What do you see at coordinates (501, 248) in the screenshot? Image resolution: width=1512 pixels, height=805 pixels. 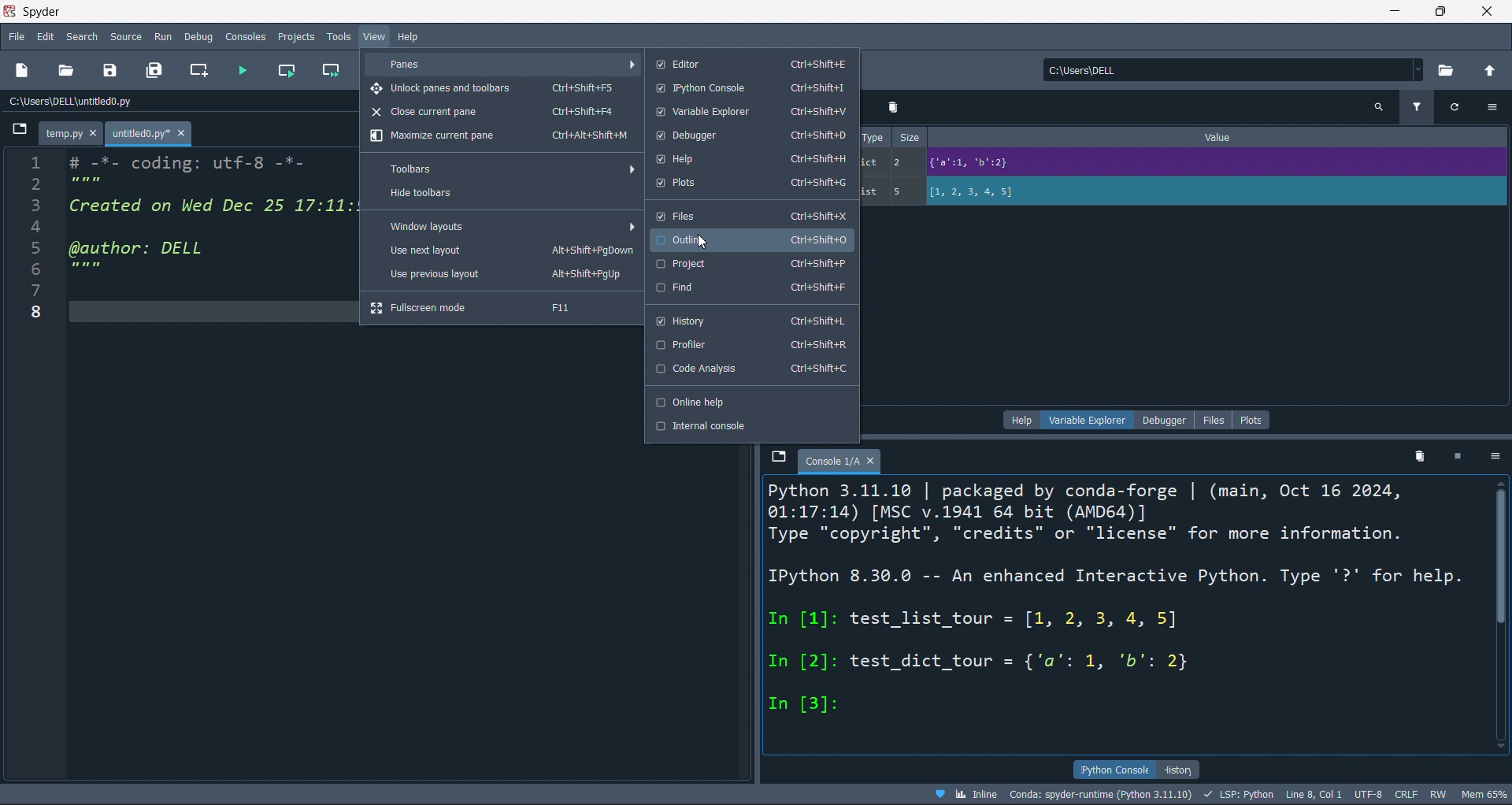 I see `use next layout` at bounding box center [501, 248].